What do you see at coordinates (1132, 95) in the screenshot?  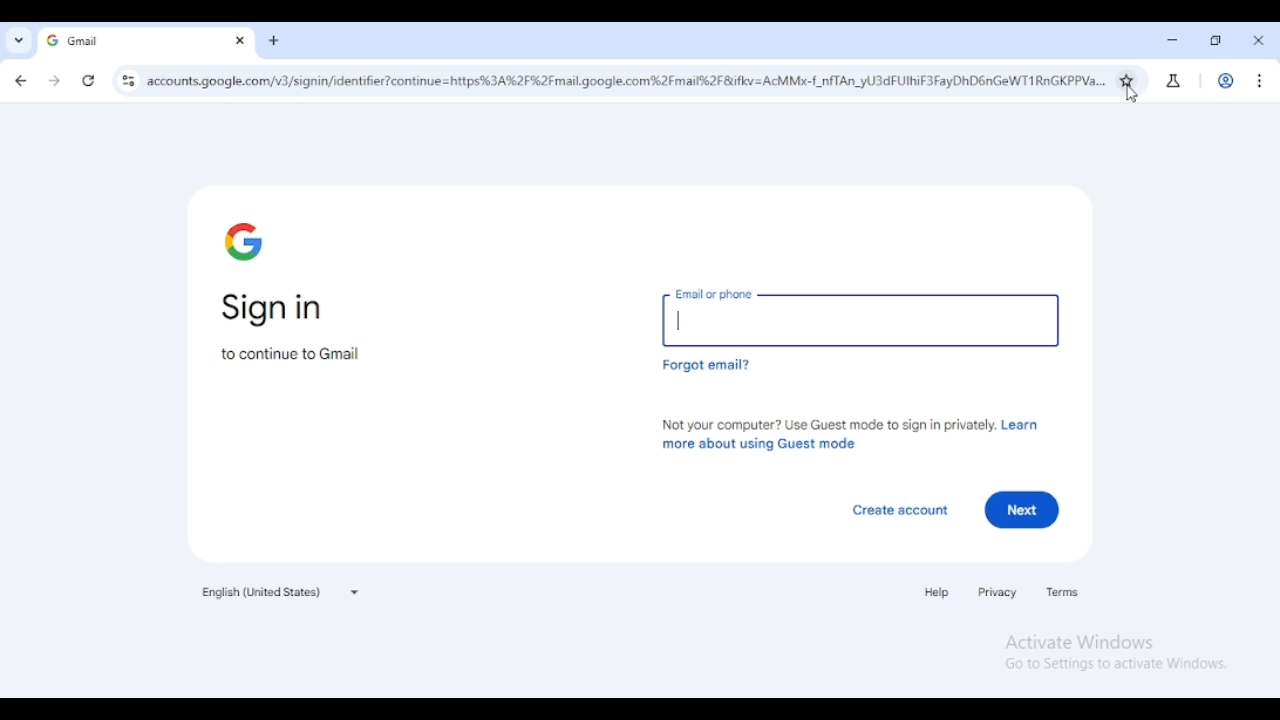 I see `cursor` at bounding box center [1132, 95].